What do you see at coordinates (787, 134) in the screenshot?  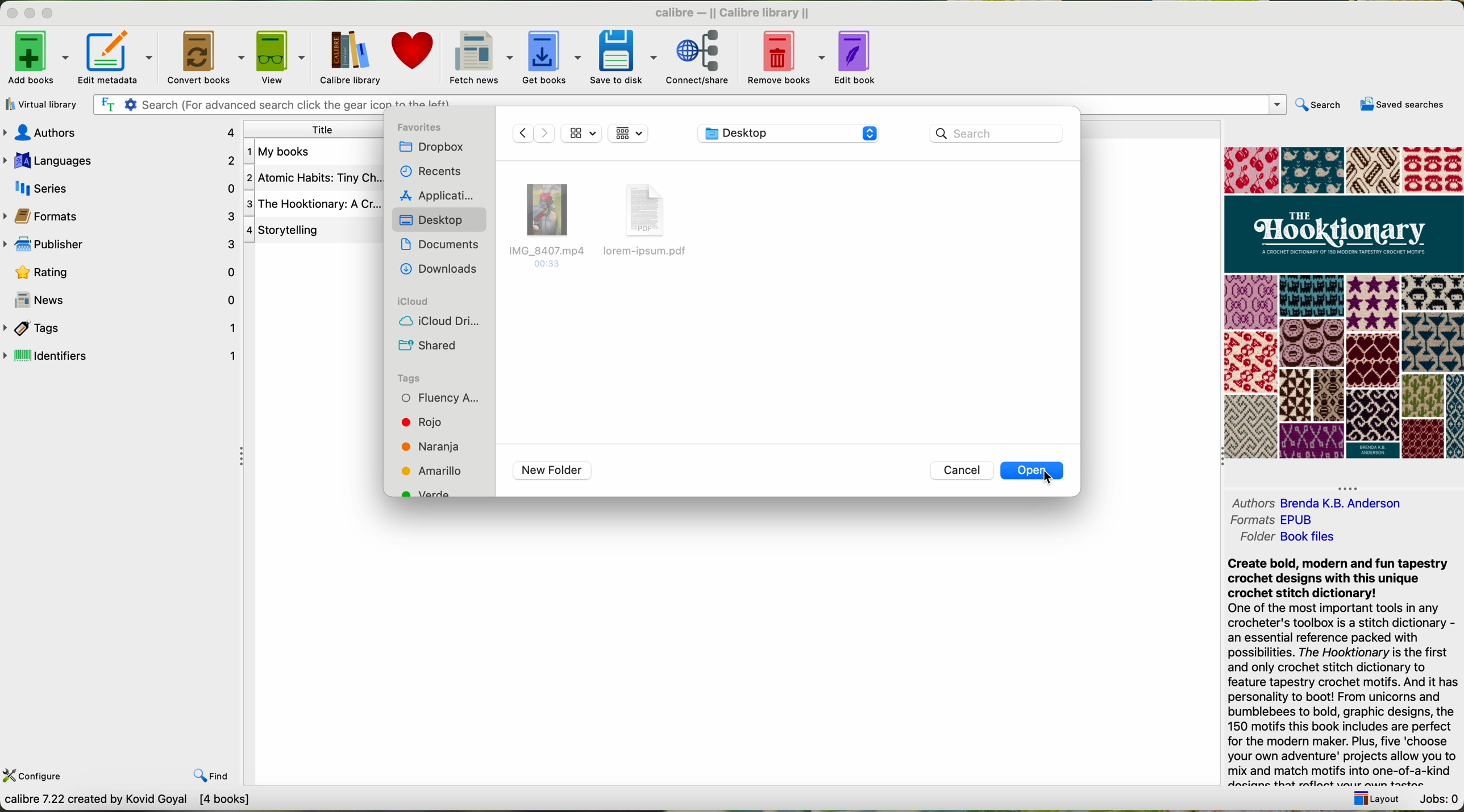 I see `location` at bounding box center [787, 134].